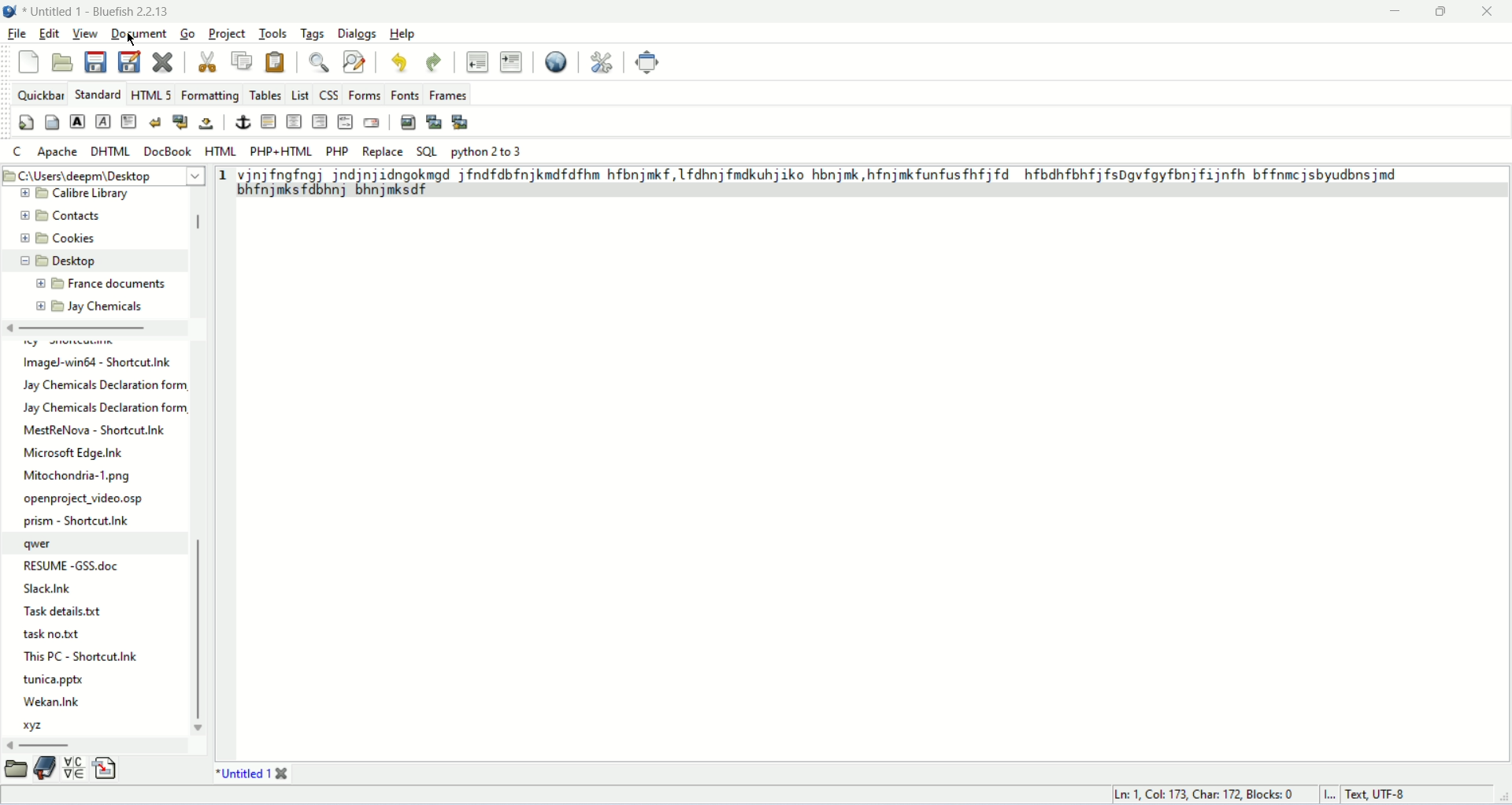  What do you see at coordinates (313, 32) in the screenshot?
I see `tags` at bounding box center [313, 32].